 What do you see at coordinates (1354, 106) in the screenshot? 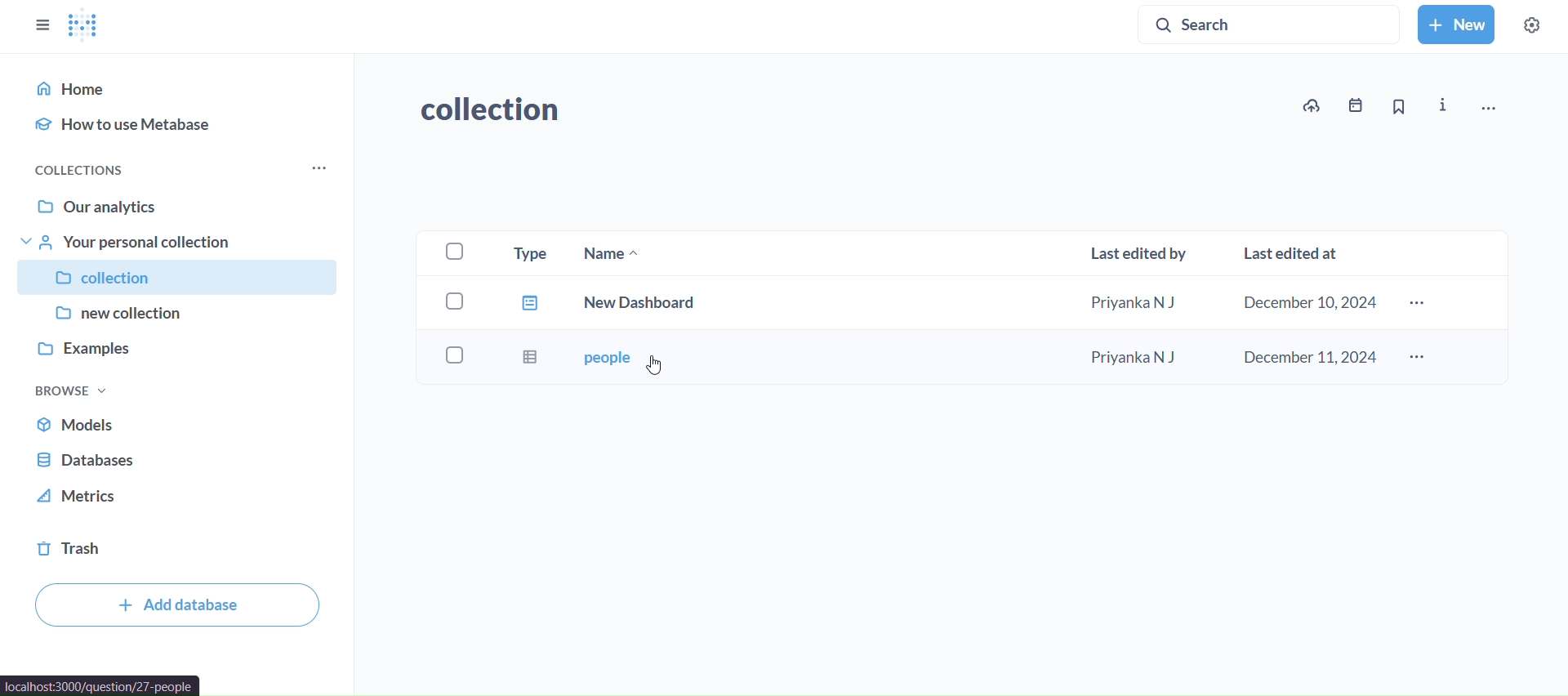
I see `events` at bounding box center [1354, 106].